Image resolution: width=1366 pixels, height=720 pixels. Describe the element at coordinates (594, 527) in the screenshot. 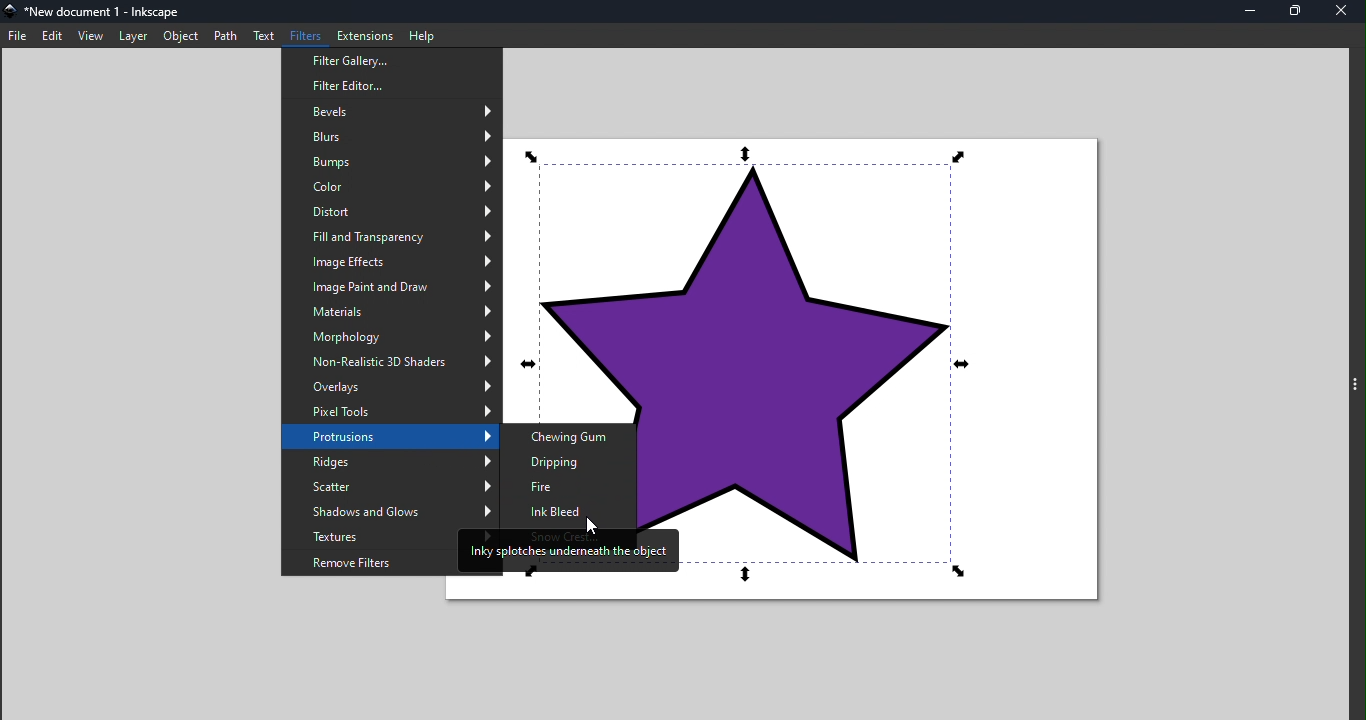

I see `Cursor` at that location.